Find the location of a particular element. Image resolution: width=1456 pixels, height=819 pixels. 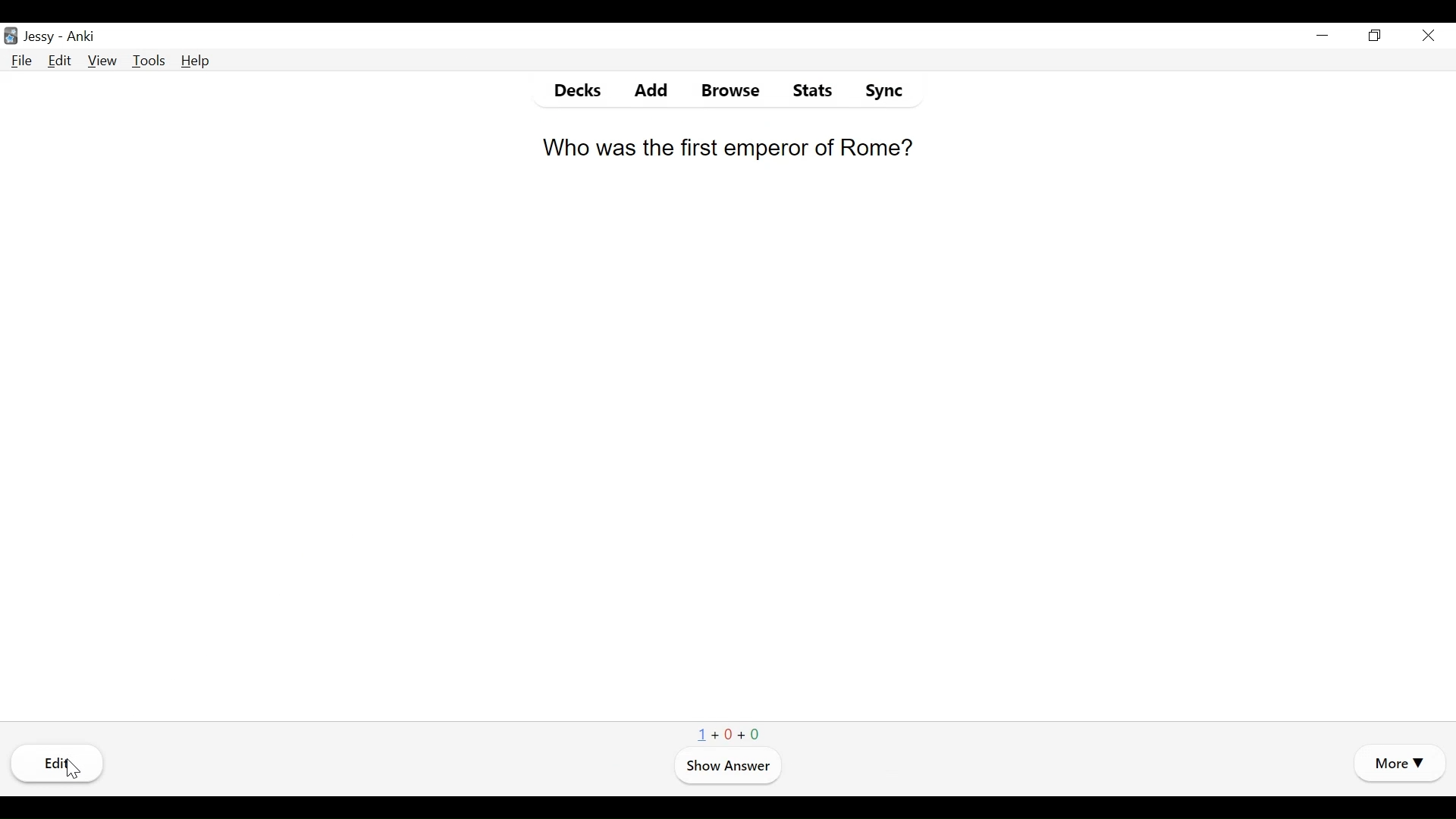

Close is located at coordinates (1426, 35).